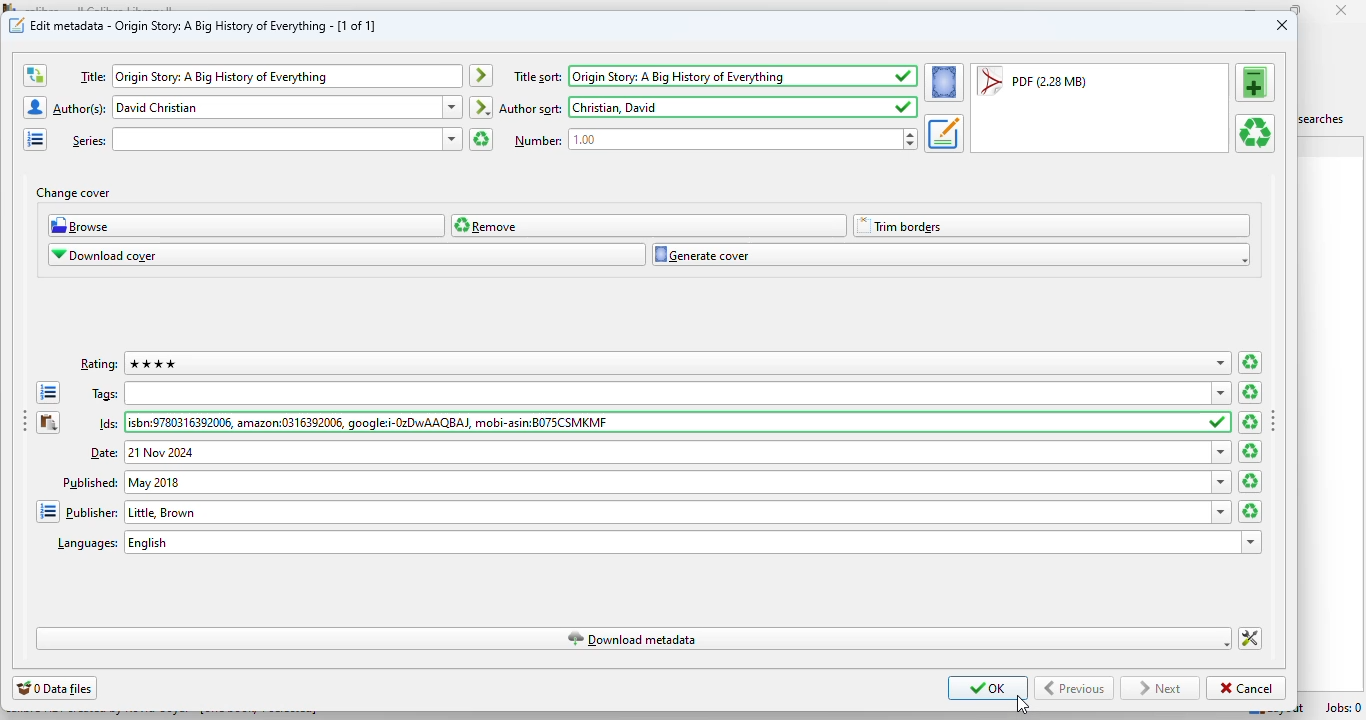 The height and width of the screenshot is (720, 1366). What do you see at coordinates (944, 134) in the screenshot?
I see `set the metadata of the book from the selected format` at bounding box center [944, 134].